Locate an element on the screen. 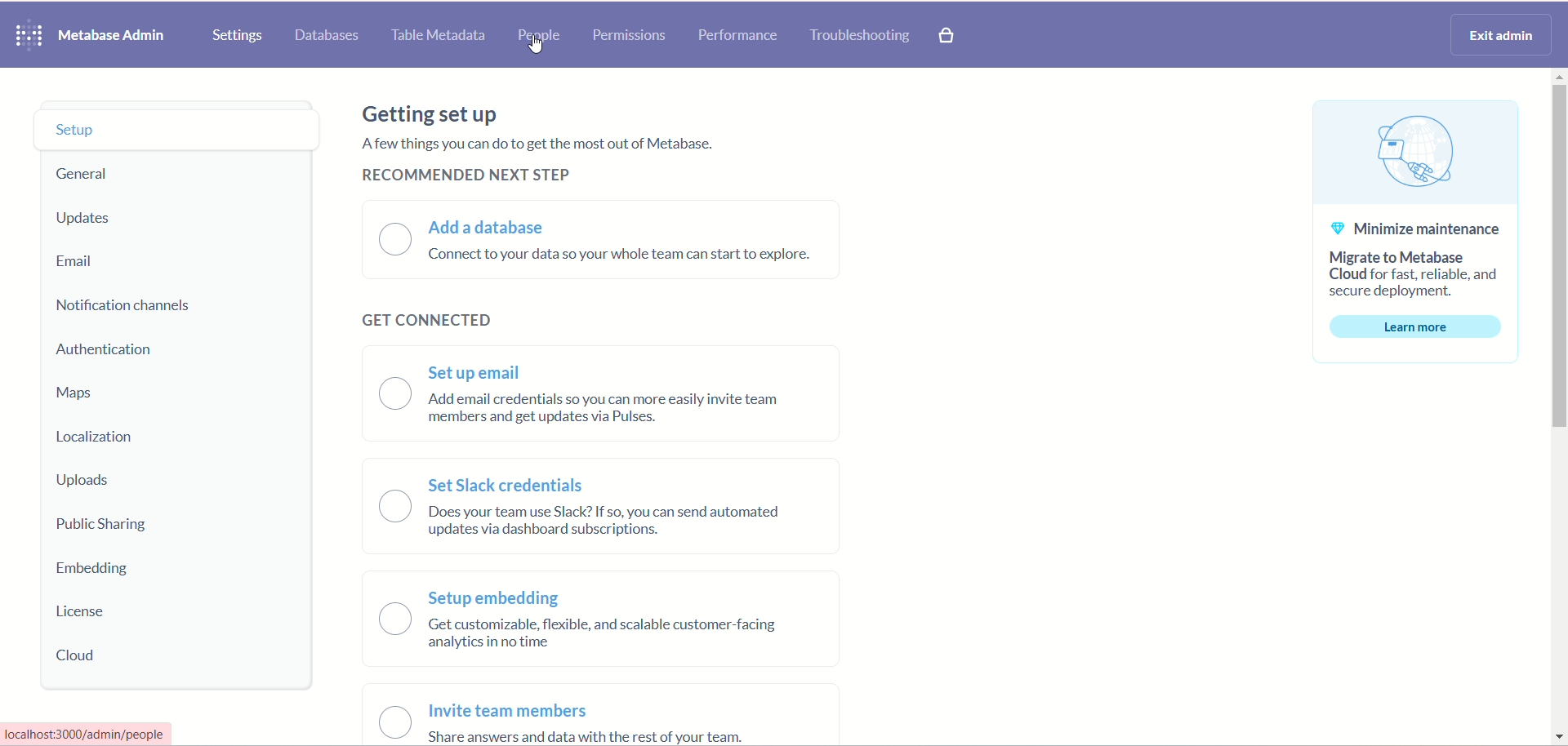  text is located at coordinates (543, 143).